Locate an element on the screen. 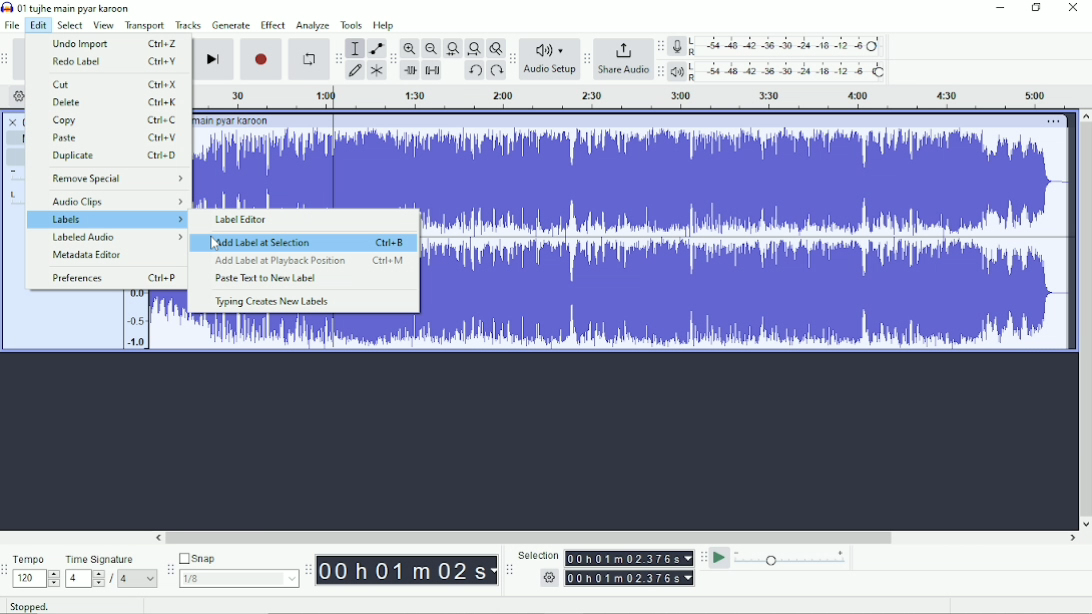 This screenshot has height=614, width=1092. Label Editor is located at coordinates (246, 220).